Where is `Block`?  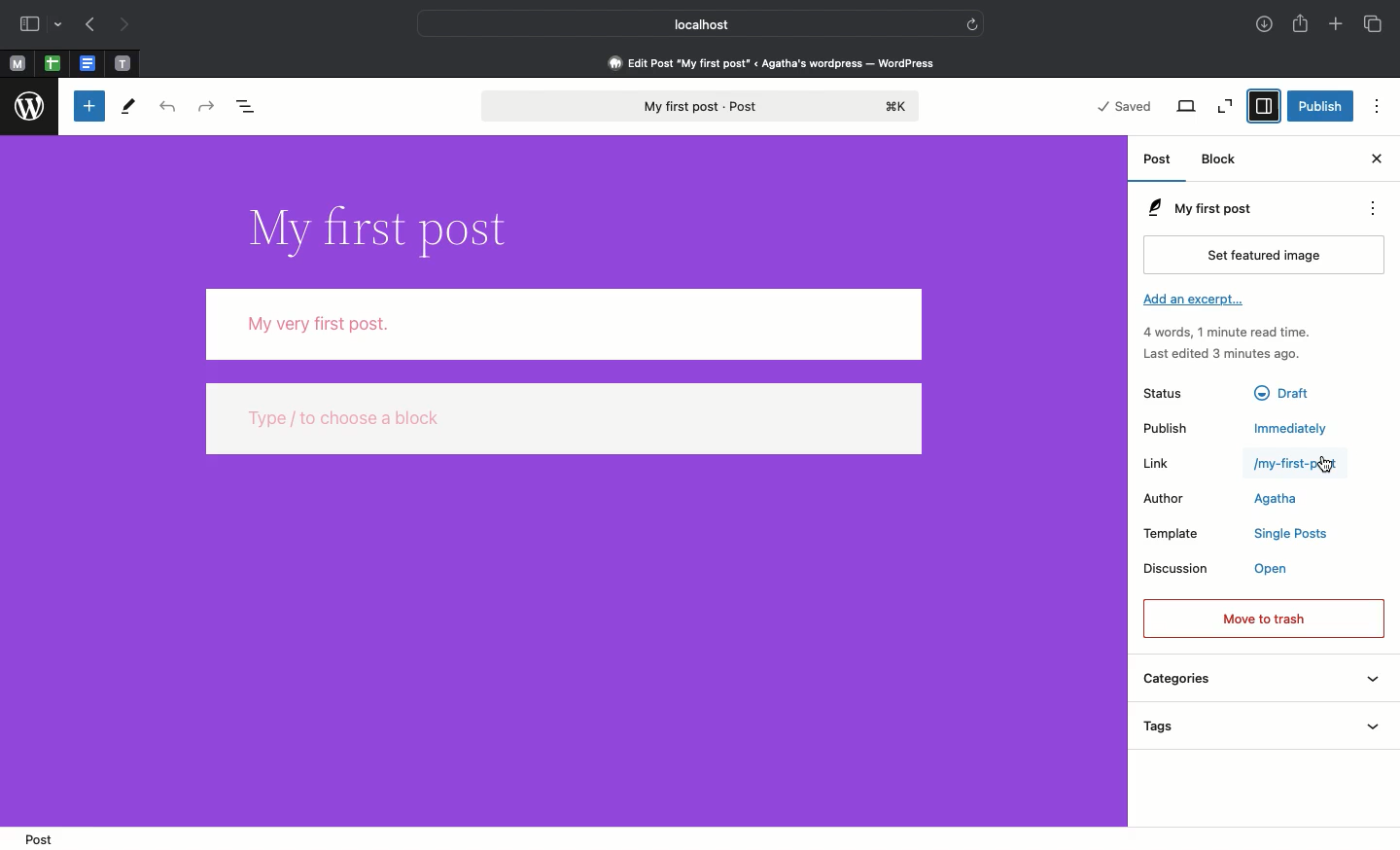
Block is located at coordinates (1226, 160).